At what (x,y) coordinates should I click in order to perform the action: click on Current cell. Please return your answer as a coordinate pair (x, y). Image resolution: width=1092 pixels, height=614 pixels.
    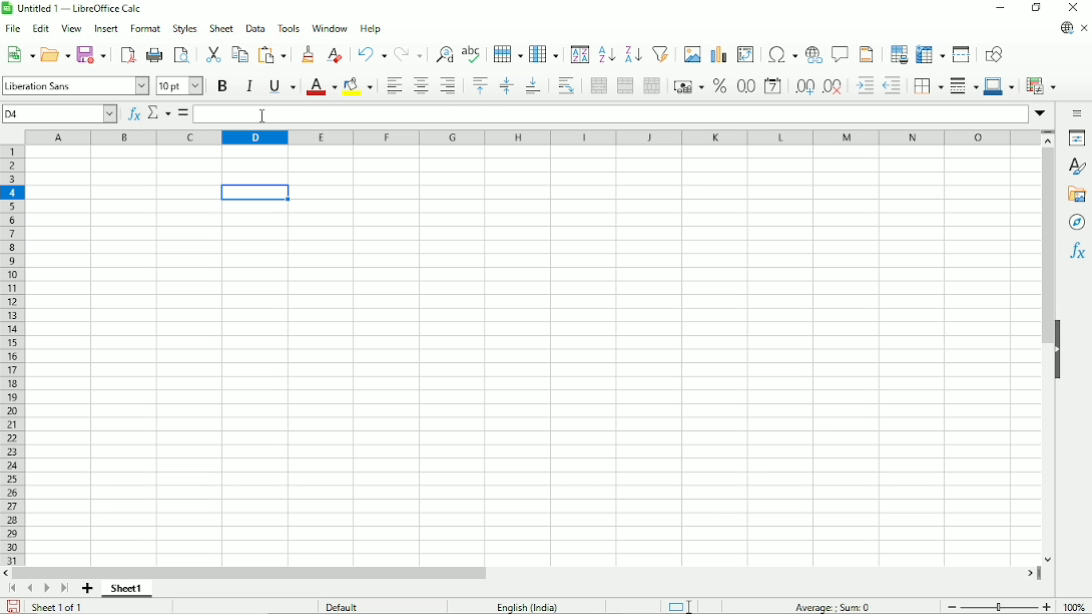
    Looking at the image, I should click on (59, 114).